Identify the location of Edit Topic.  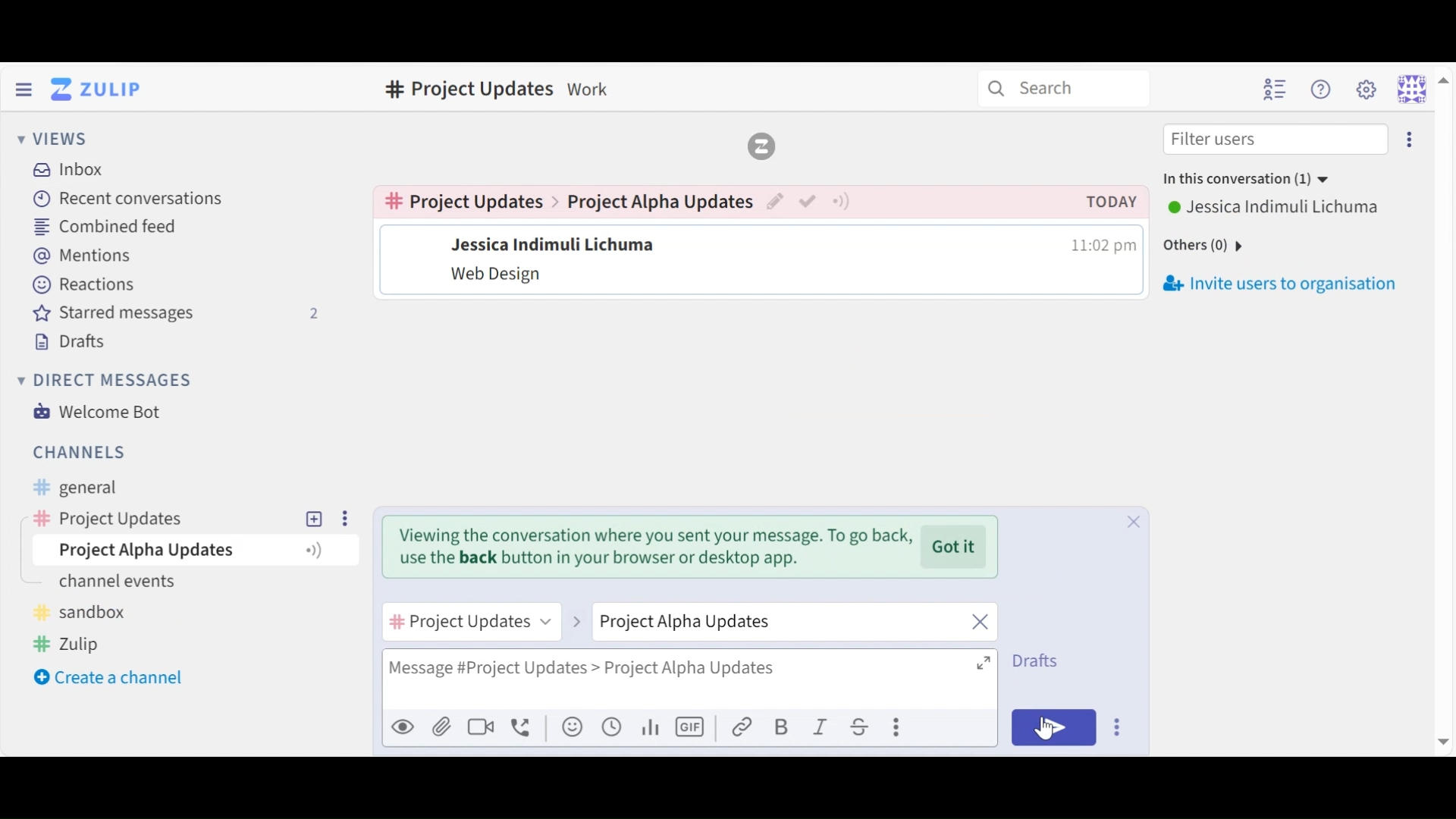
(774, 202).